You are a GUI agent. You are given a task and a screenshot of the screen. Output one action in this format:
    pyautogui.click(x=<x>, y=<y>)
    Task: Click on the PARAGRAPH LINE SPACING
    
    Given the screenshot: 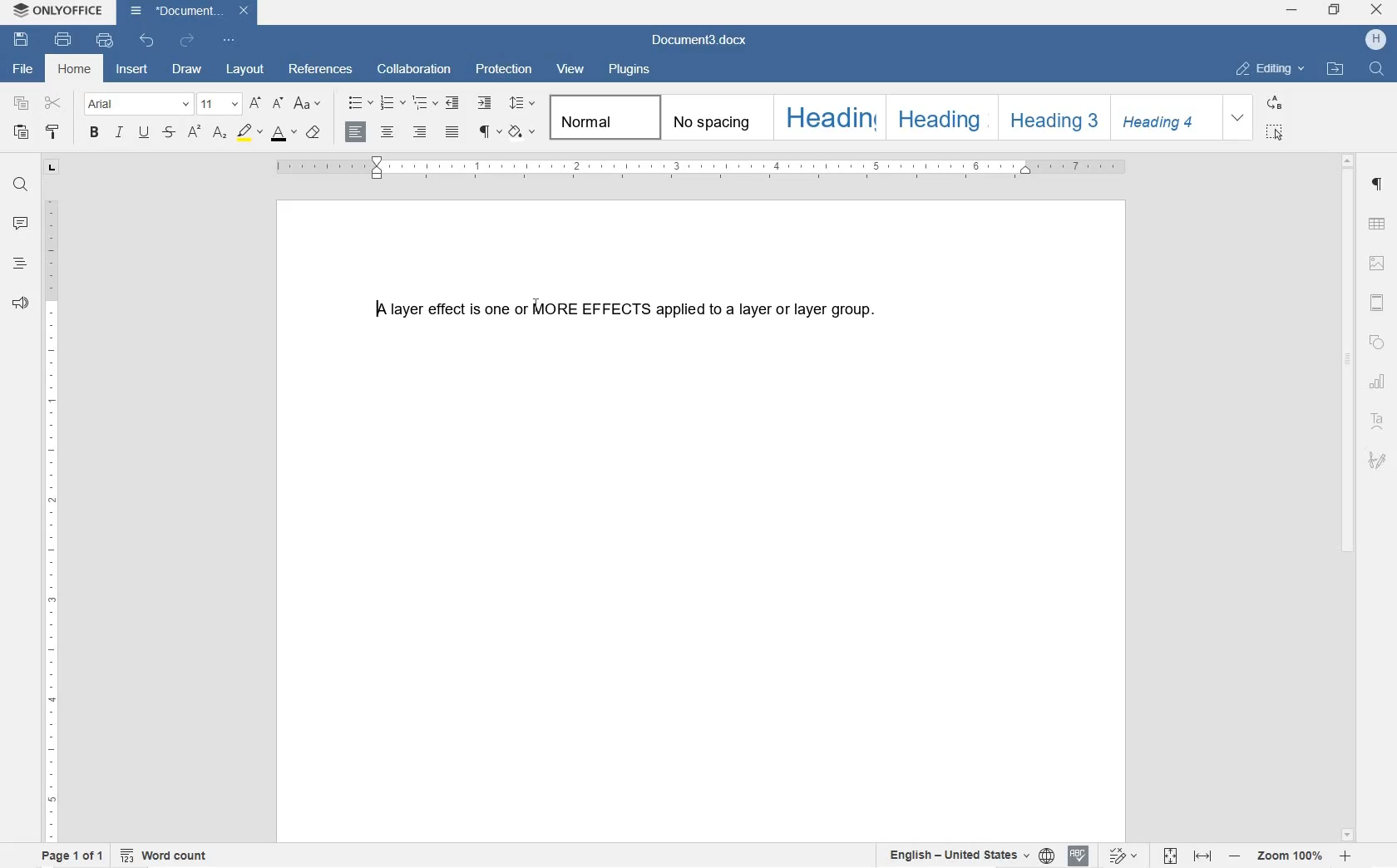 What is the action you would take?
    pyautogui.click(x=525, y=104)
    